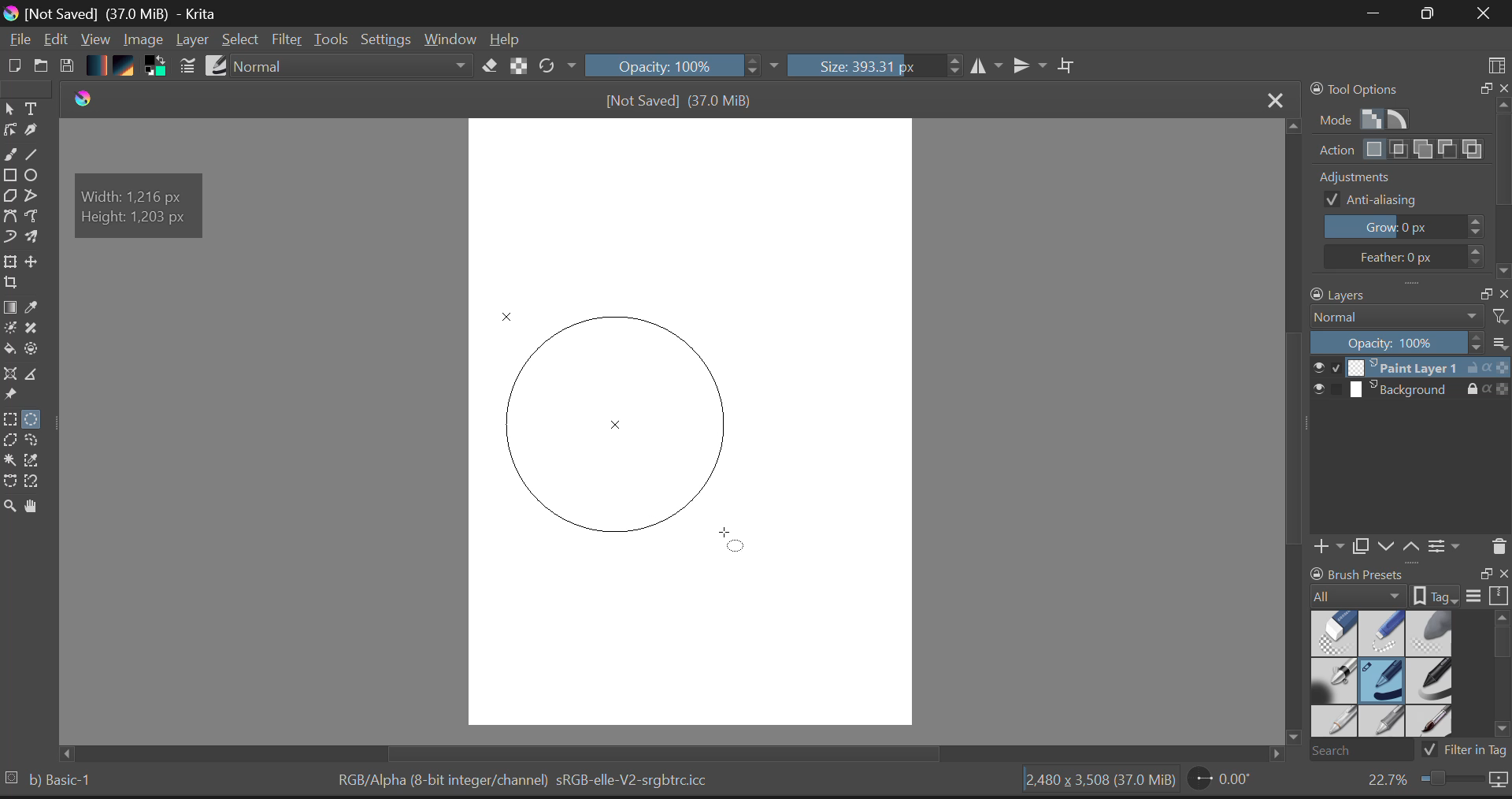 The image size is (1512, 799). Describe the element at coordinates (287, 40) in the screenshot. I see `Filter` at that location.